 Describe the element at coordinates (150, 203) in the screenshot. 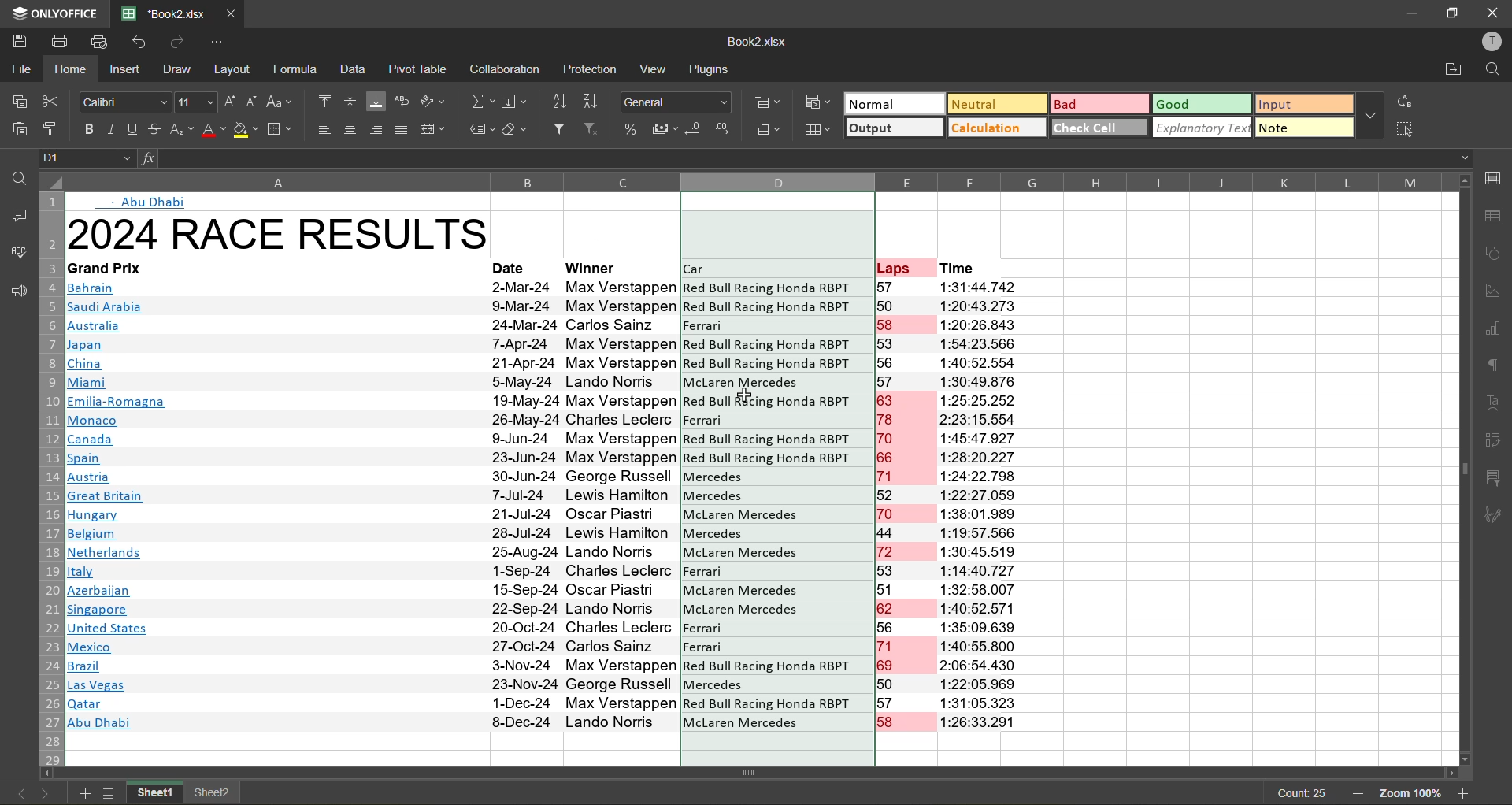

I see ` Abu Dhabi` at that location.